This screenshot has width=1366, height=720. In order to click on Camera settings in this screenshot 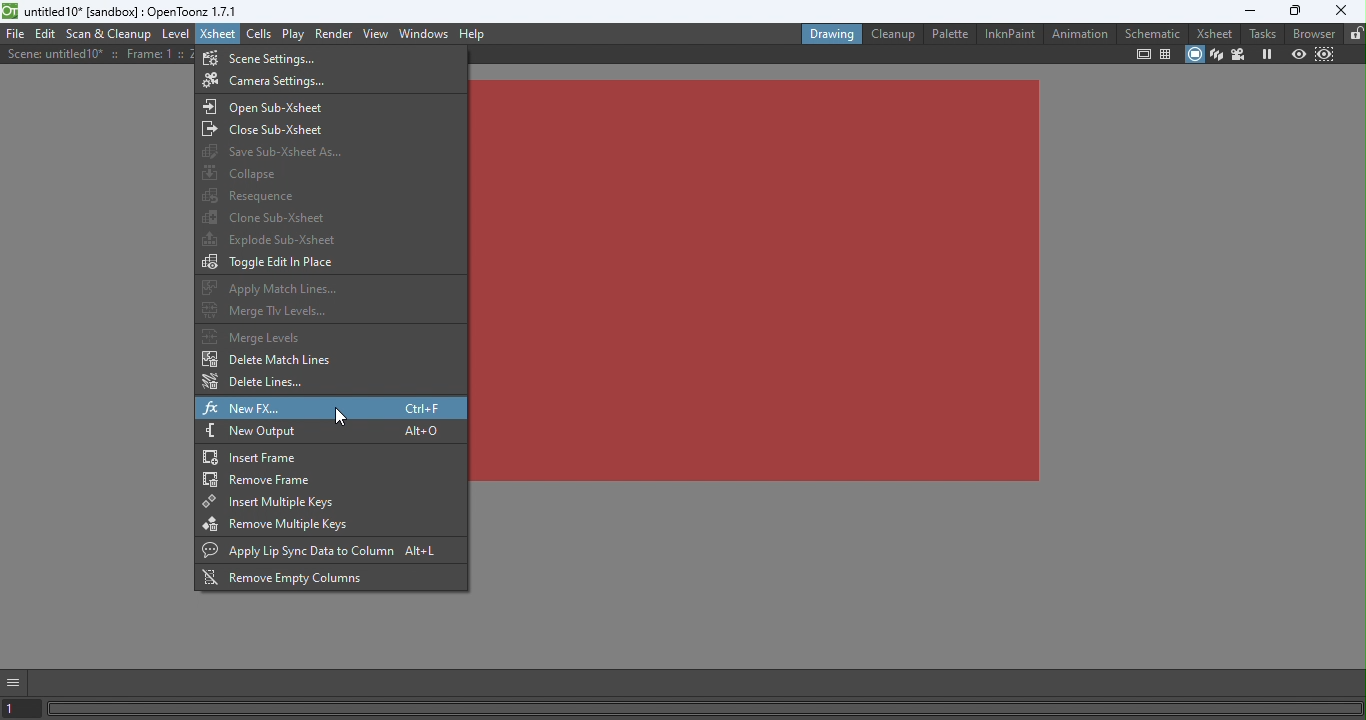, I will do `click(263, 81)`.